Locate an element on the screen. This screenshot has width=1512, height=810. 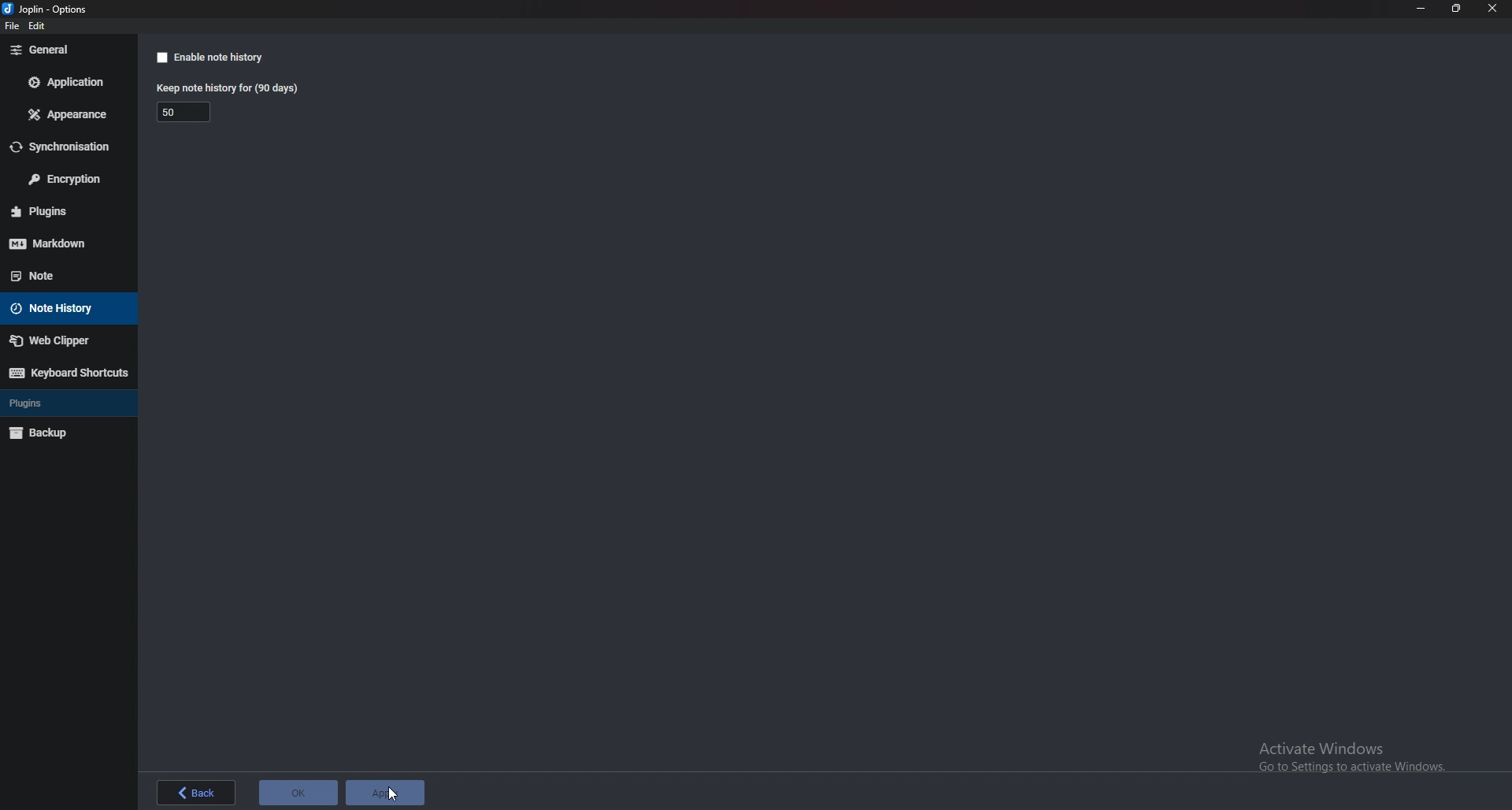
back is located at coordinates (196, 793).